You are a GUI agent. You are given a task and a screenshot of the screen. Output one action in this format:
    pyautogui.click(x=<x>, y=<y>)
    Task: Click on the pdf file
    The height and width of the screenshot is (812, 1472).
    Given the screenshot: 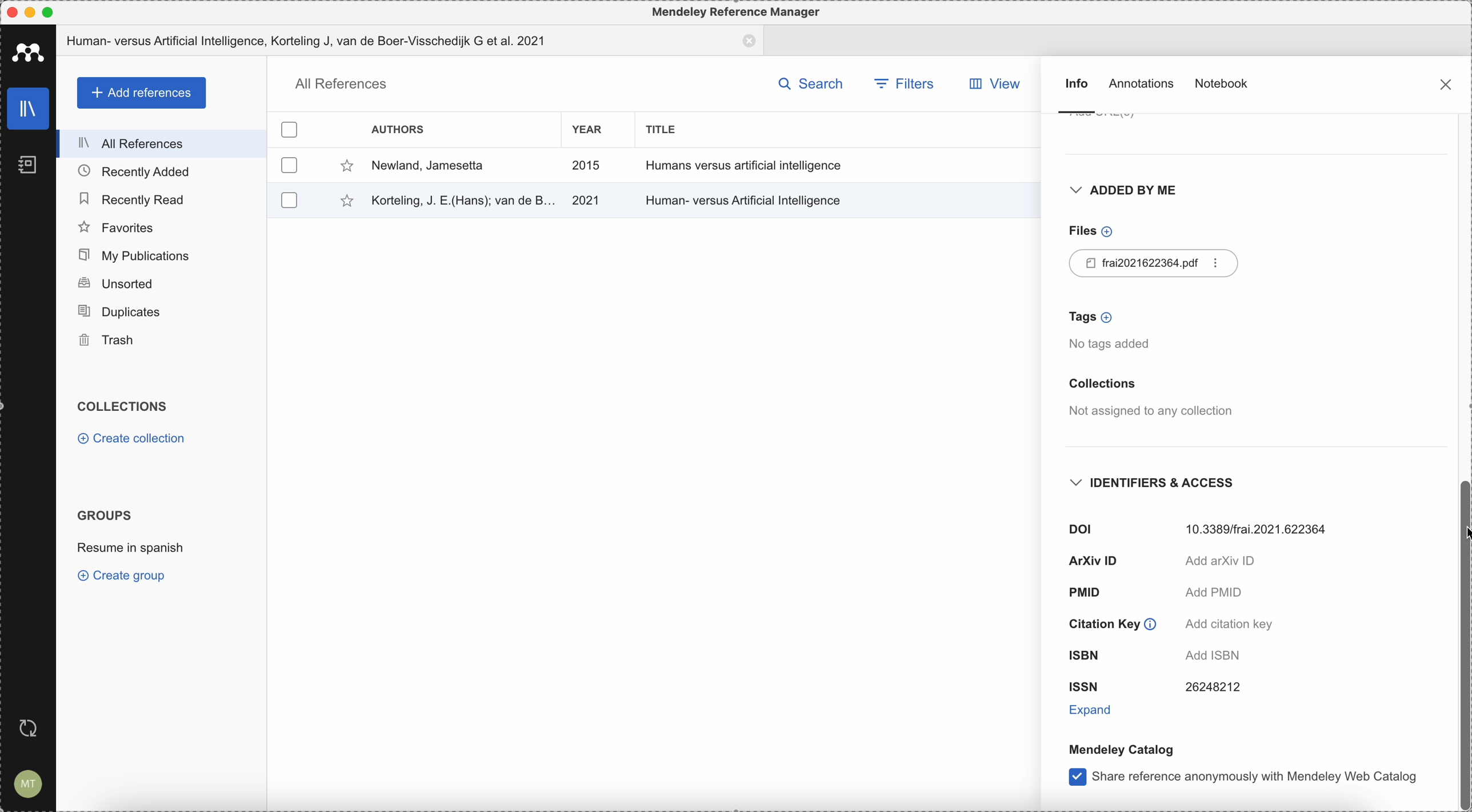 What is the action you would take?
    pyautogui.click(x=1157, y=263)
    